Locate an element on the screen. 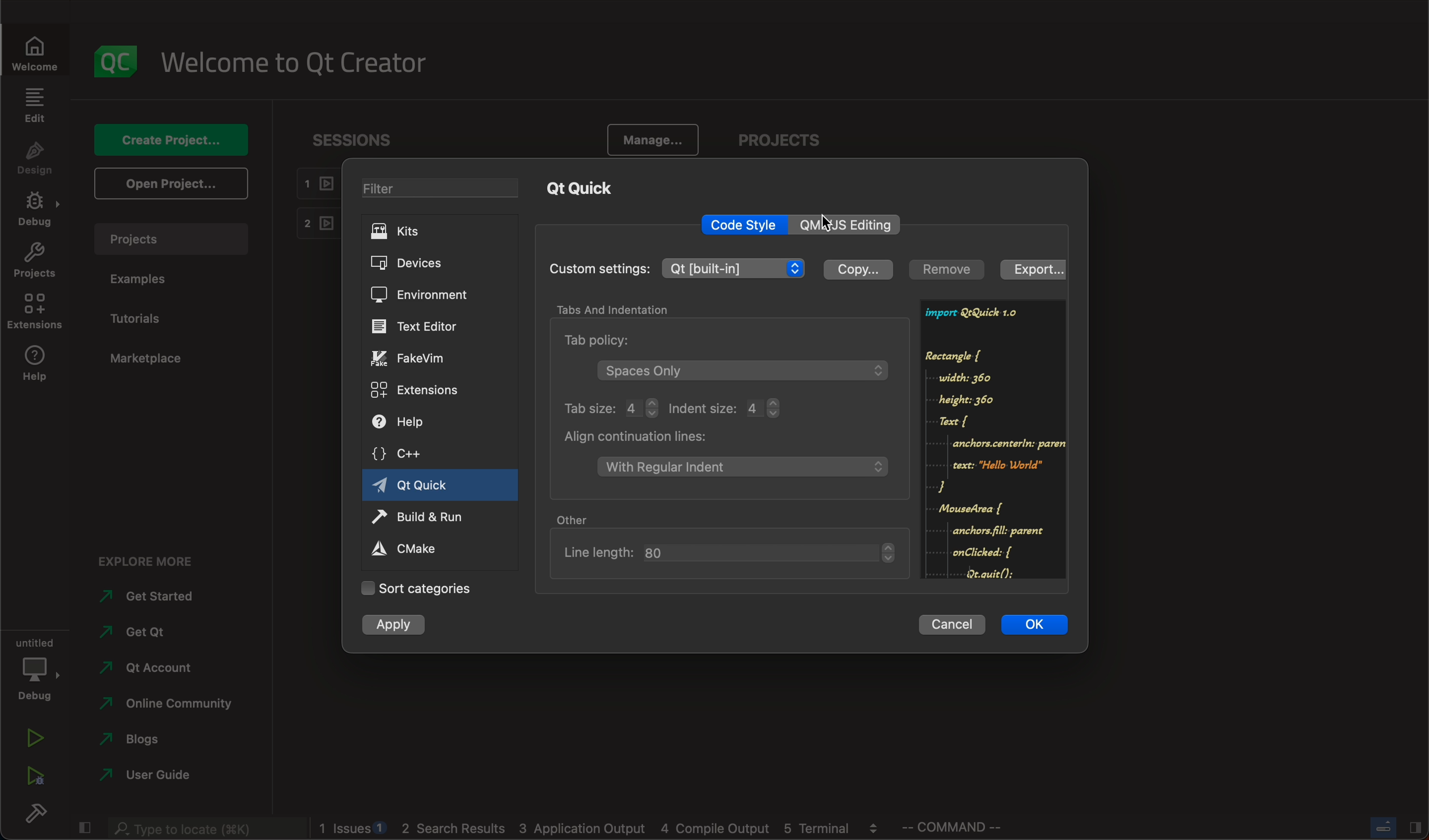 The width and height of the screenshot is (1429, 840). welcome is located at coordinates (297, 63).